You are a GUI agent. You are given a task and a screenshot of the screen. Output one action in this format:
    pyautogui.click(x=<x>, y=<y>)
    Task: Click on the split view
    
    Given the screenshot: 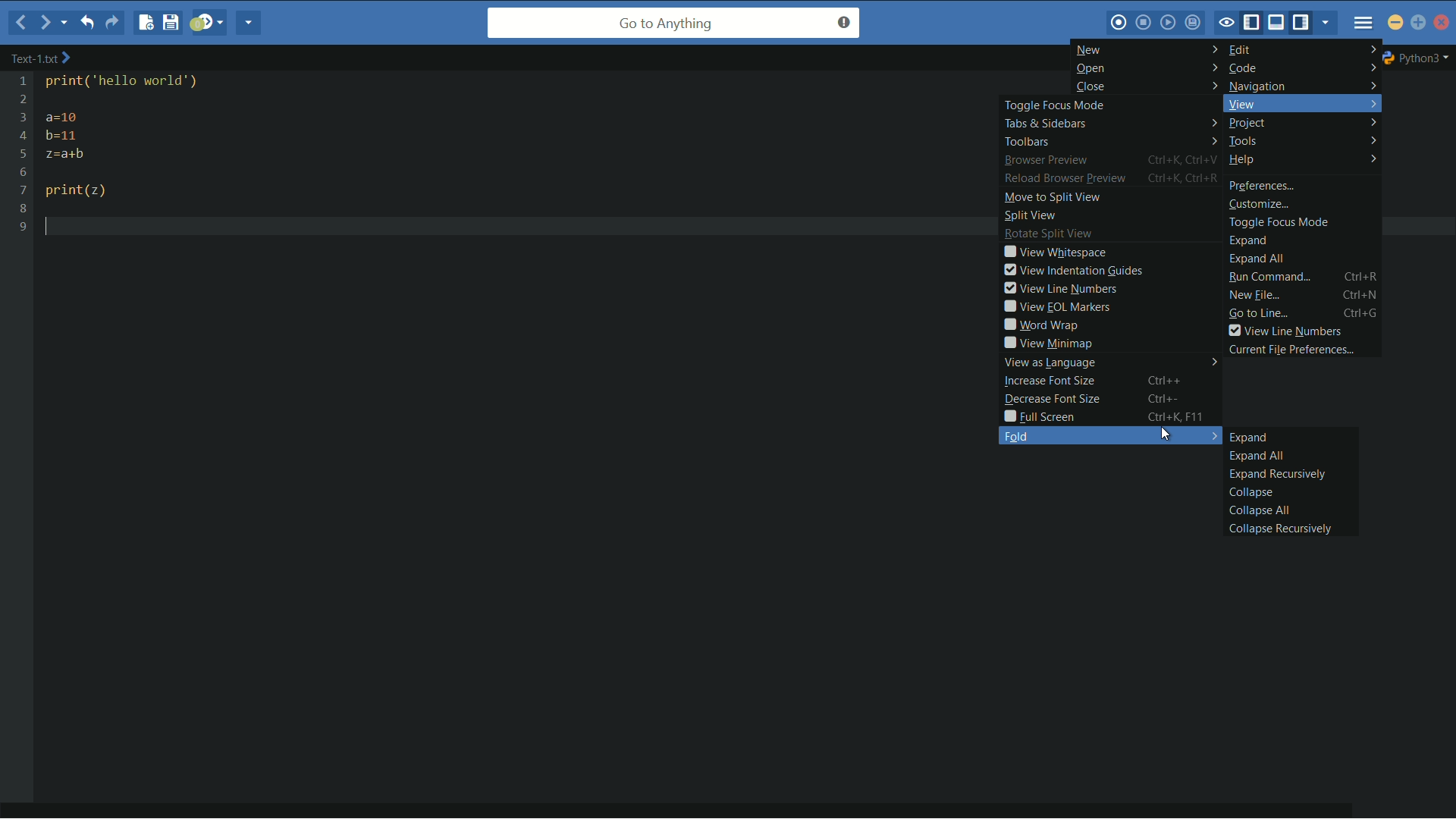 What is the action you would take?
    pyautogui.click(x=1031, y=217)
    